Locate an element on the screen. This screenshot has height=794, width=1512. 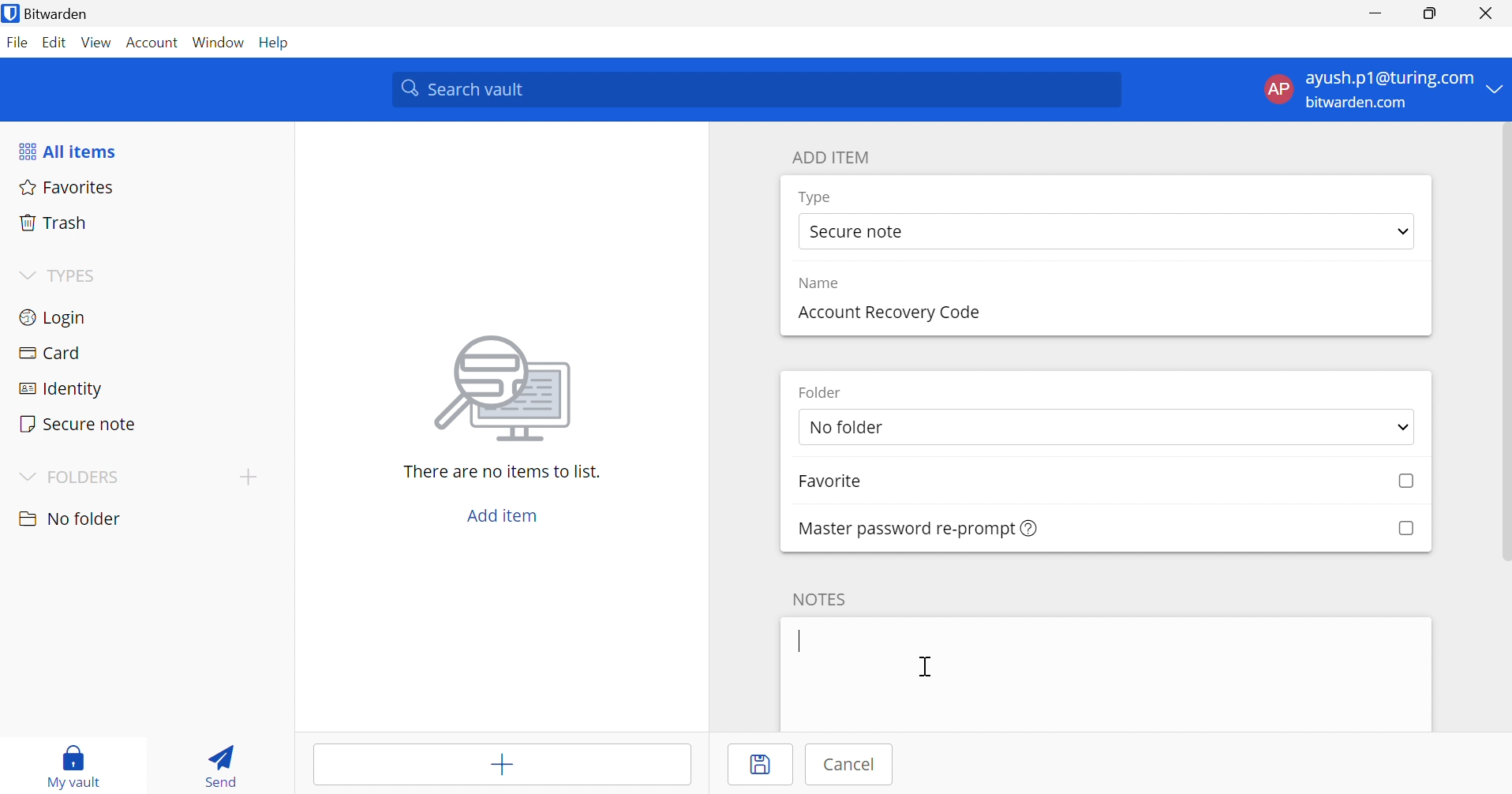
Restore Down is located at coordinates (1428, 15).